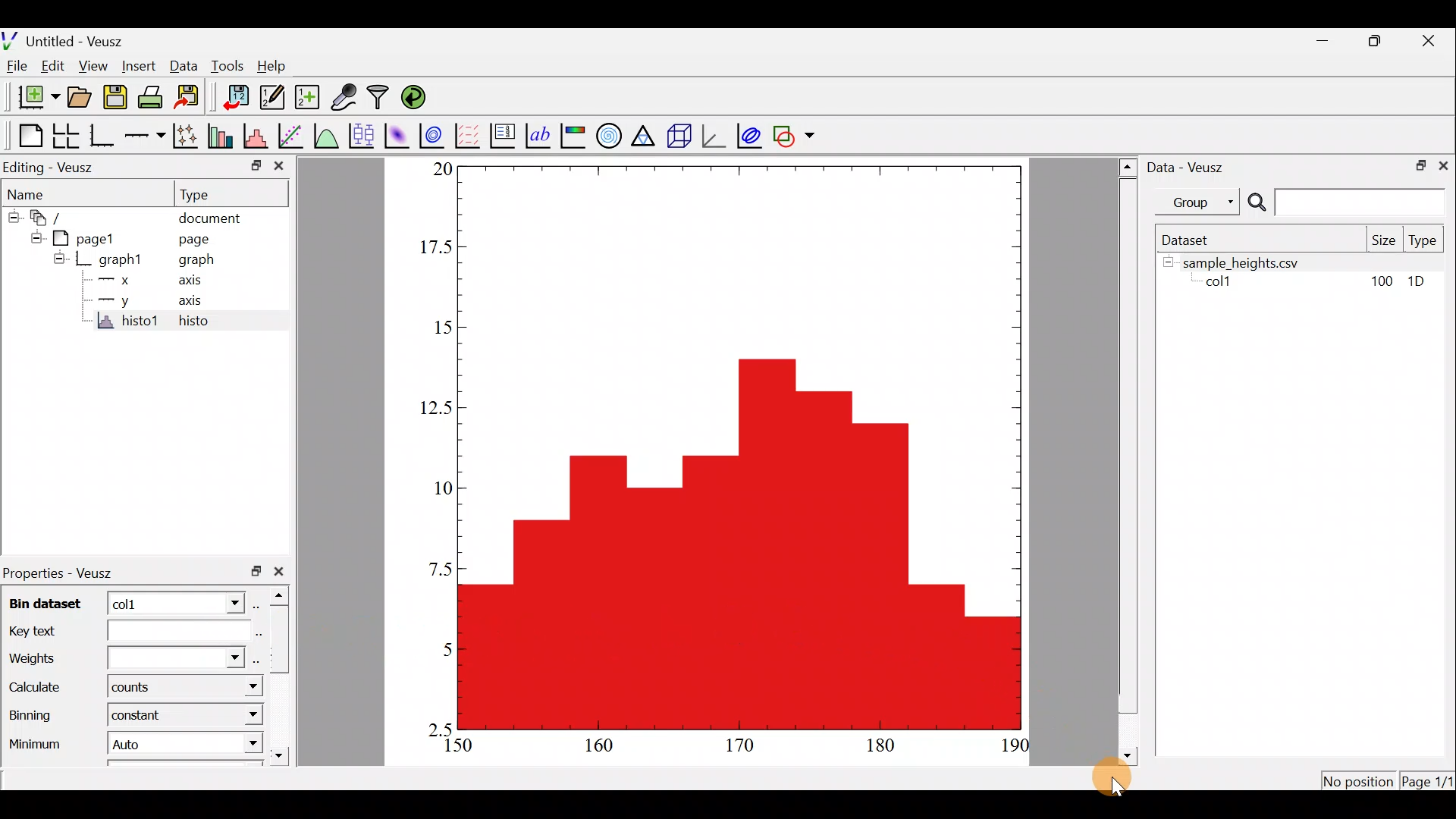  What do you see at coordinates (1168, 262) in the screenshot?
I see `hide` at bounding box center [1168, 262].